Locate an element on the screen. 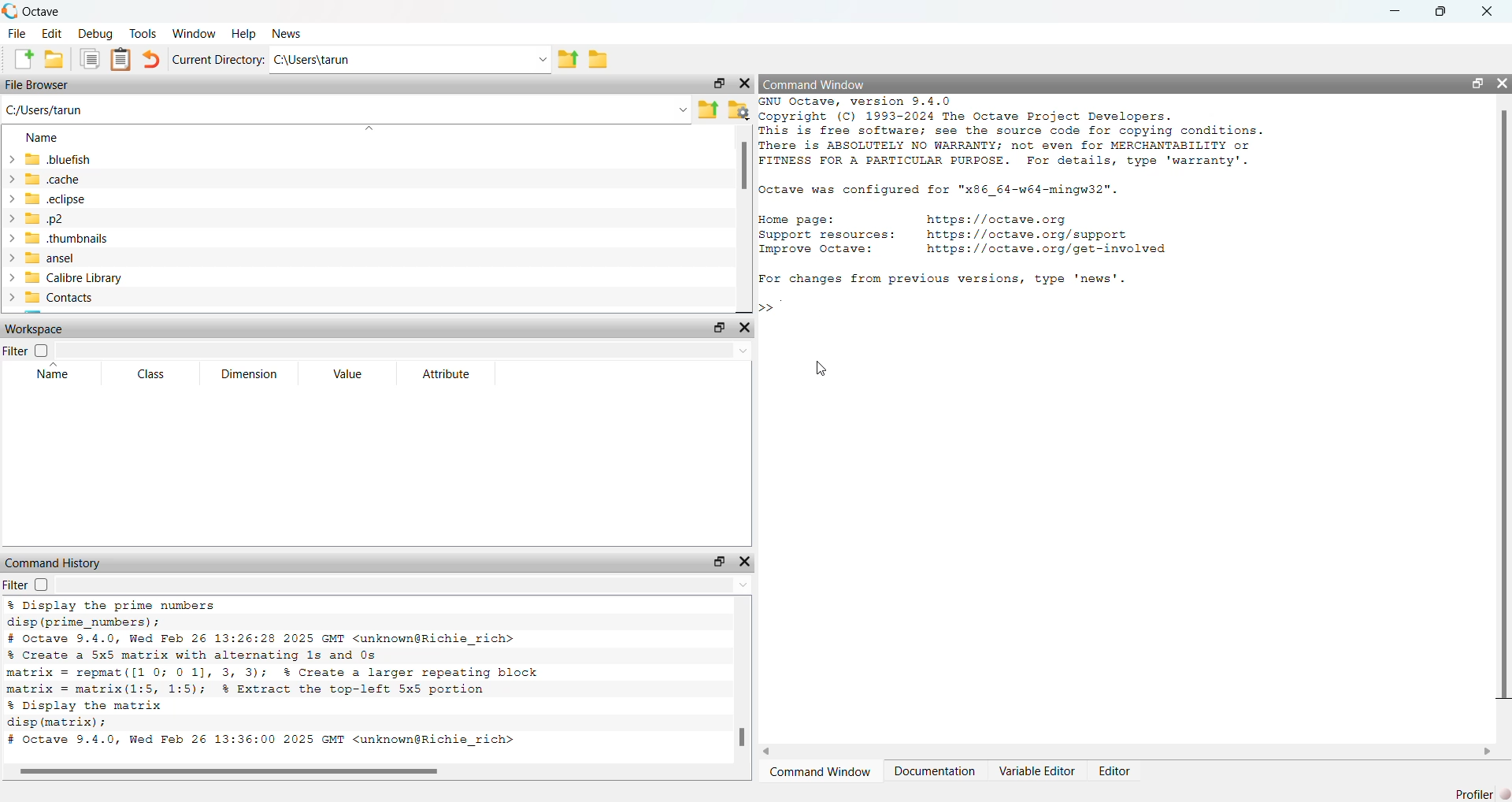  undo is located at coordinates (151, 59).